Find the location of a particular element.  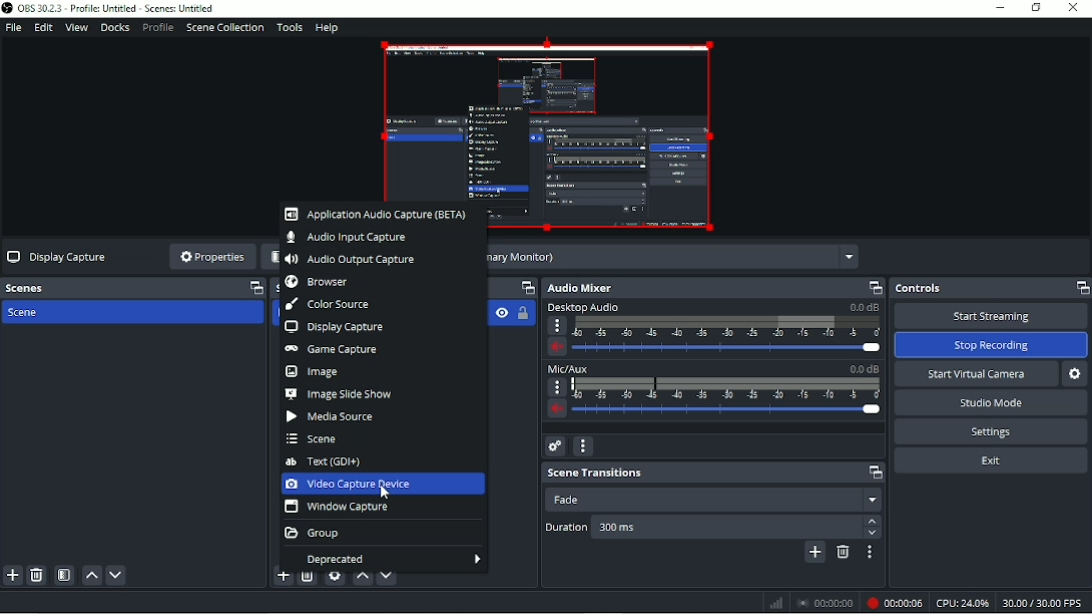

Video capture device is located at coordinates (382, 484).